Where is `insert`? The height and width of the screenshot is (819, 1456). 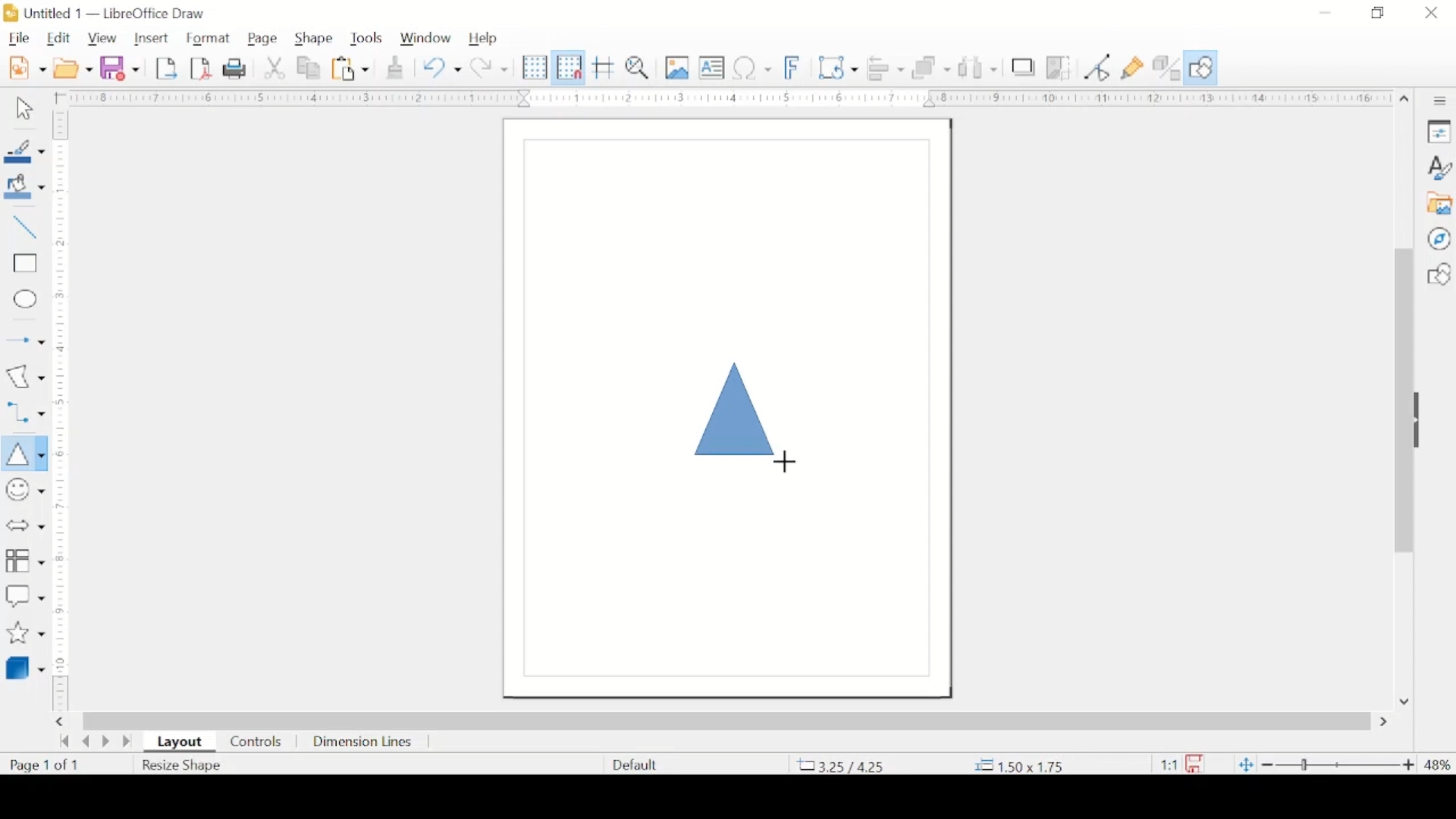
insert is located at coordinates (153, 39).